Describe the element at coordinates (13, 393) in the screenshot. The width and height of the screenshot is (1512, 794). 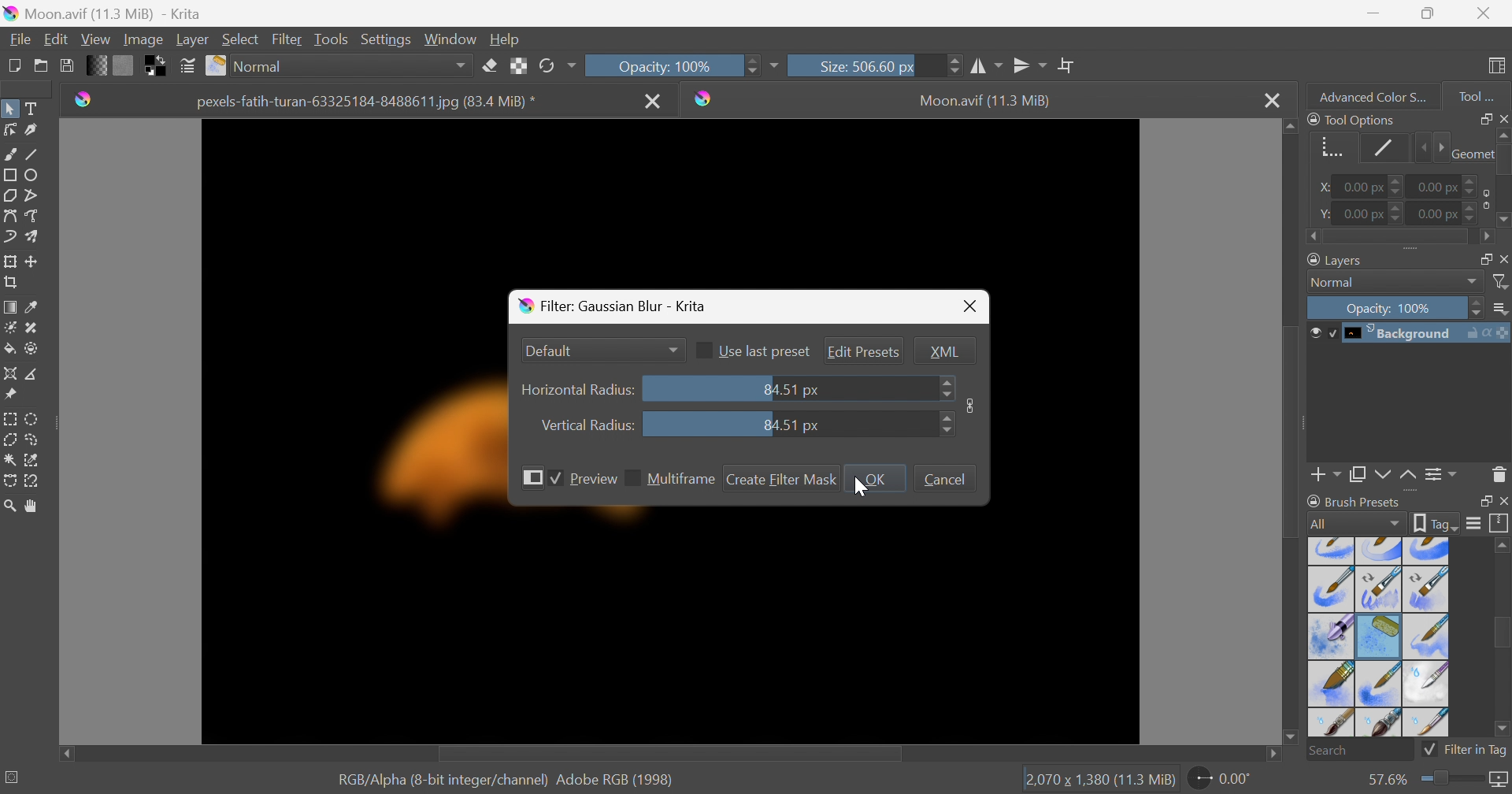
I see `Reference Images tool` at that location.